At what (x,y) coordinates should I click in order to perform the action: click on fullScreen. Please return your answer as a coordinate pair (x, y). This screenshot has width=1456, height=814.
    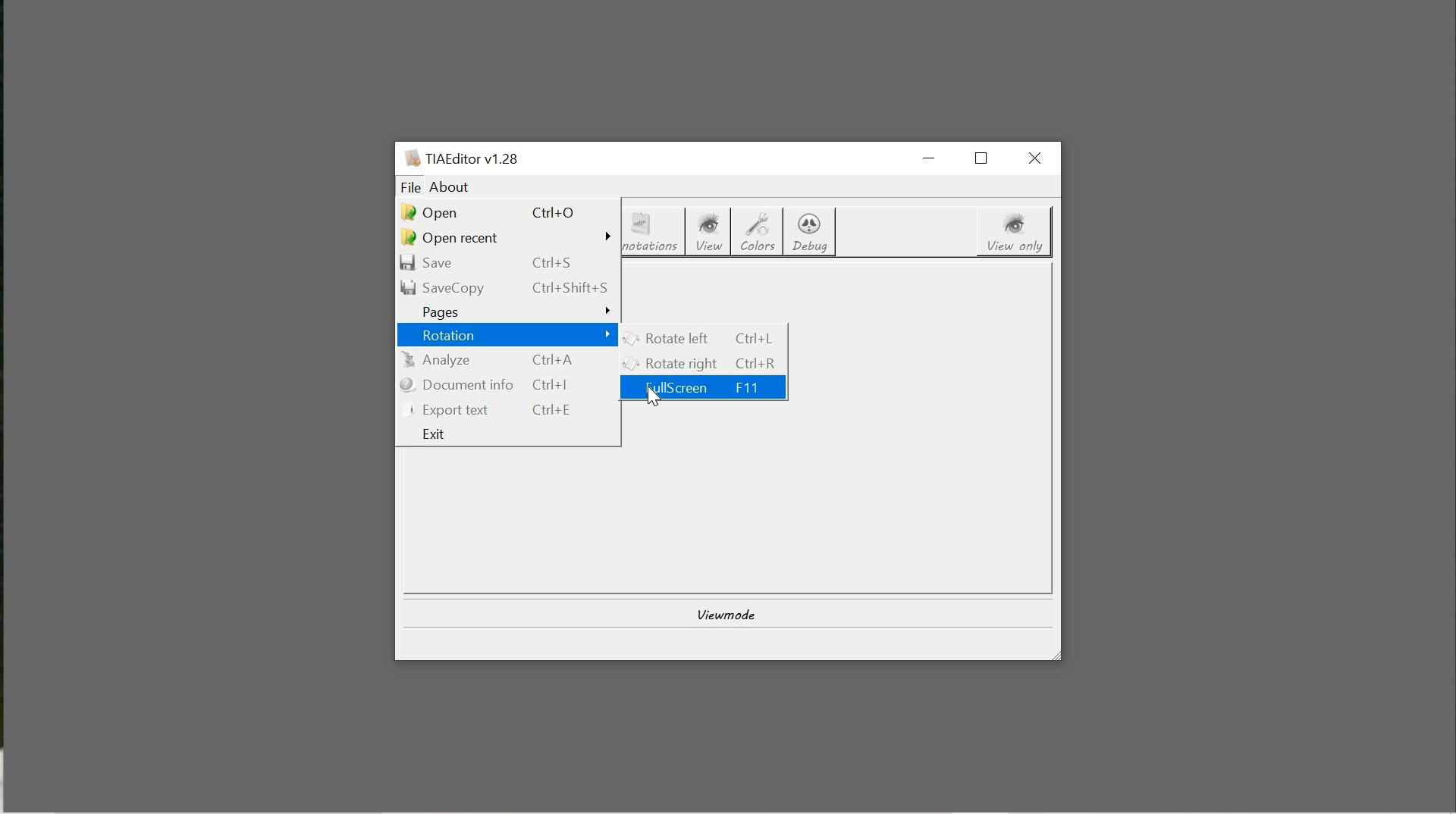
    Looking at the image, I should click on (705, 390).